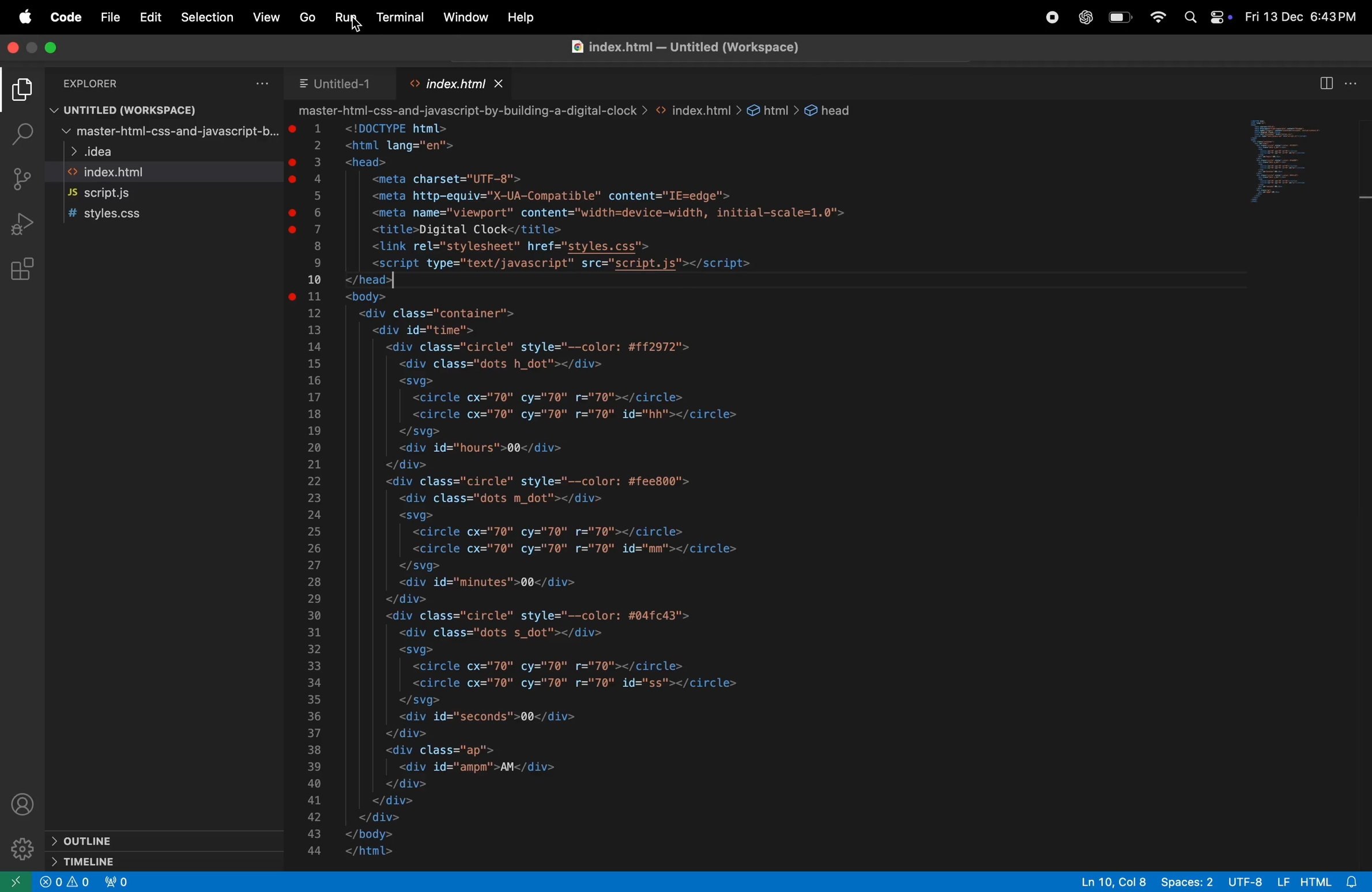 The height and width of the screenshot is (892, 1372). What do you see at coordinates (265, 18) in the screenshot?
I see `view` at bounding box center [265, 18].